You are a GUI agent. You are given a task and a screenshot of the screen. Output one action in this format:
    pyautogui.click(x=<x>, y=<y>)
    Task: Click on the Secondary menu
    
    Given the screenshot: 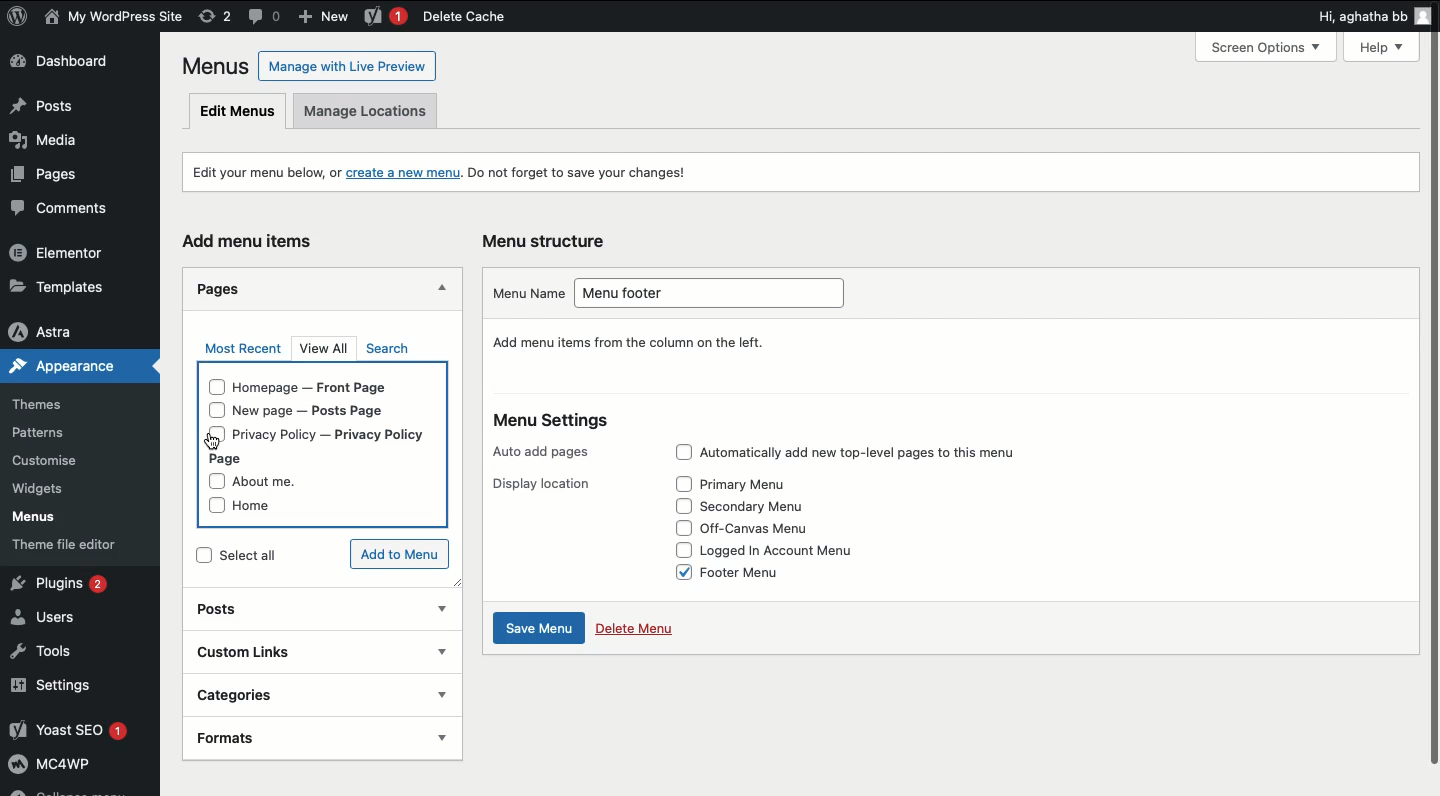 What is the action you would take?
    pyautogui.click(x=762, y=506)
    